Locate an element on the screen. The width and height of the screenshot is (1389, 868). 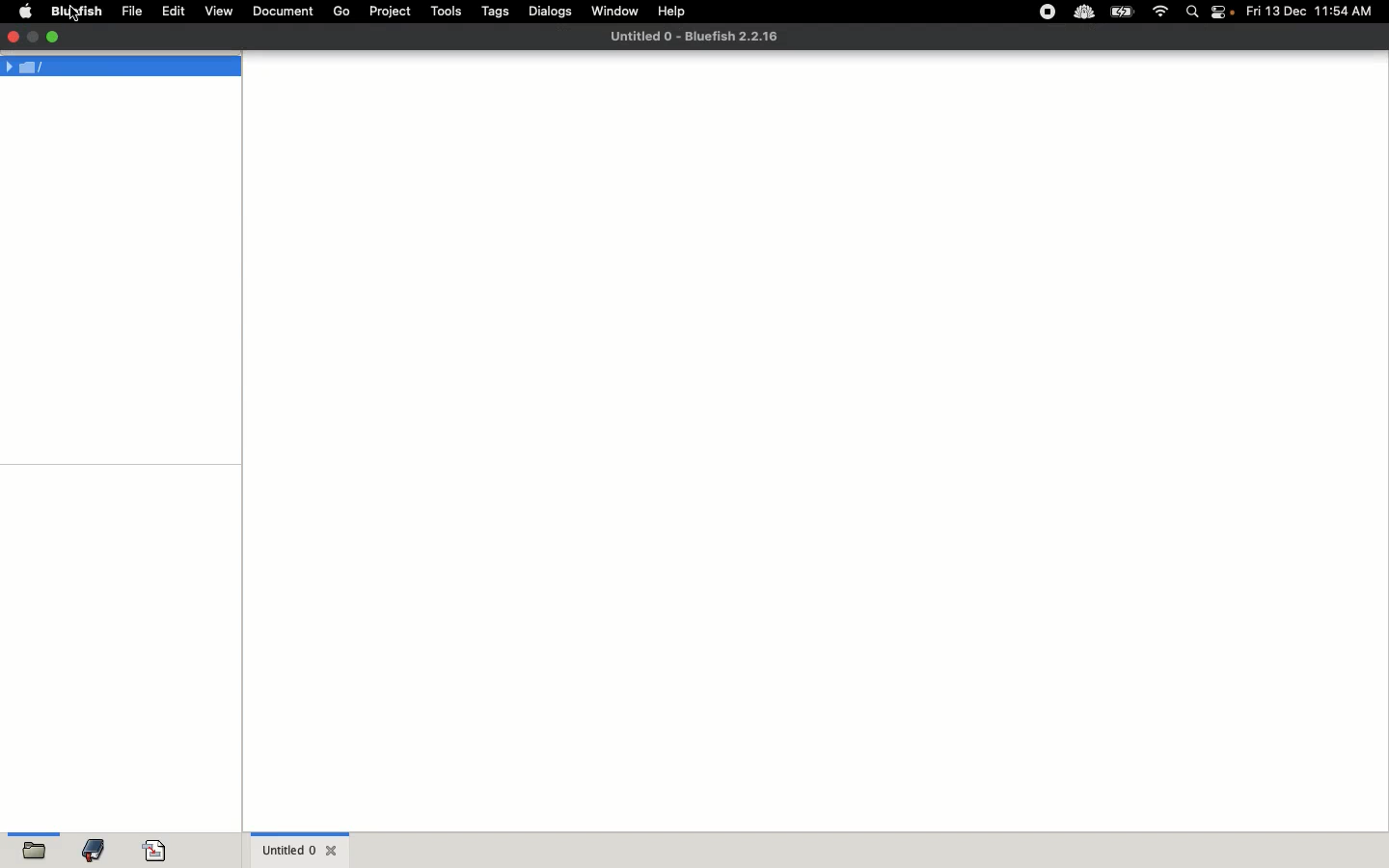
Go is located at coordinates (341, 12).